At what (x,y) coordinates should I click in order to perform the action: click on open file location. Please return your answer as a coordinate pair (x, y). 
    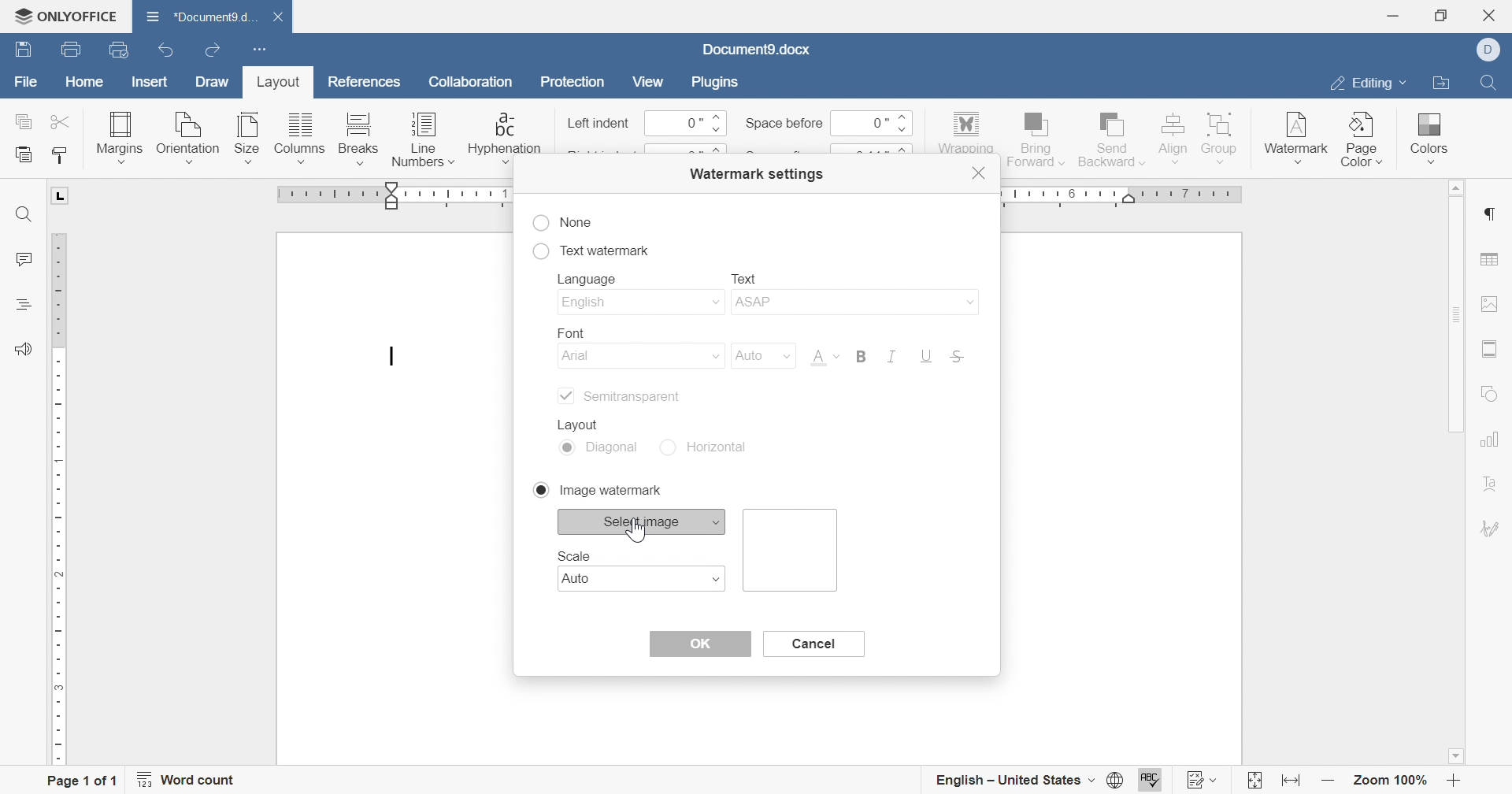
    Looking at the image, I should click on (1440, 84).